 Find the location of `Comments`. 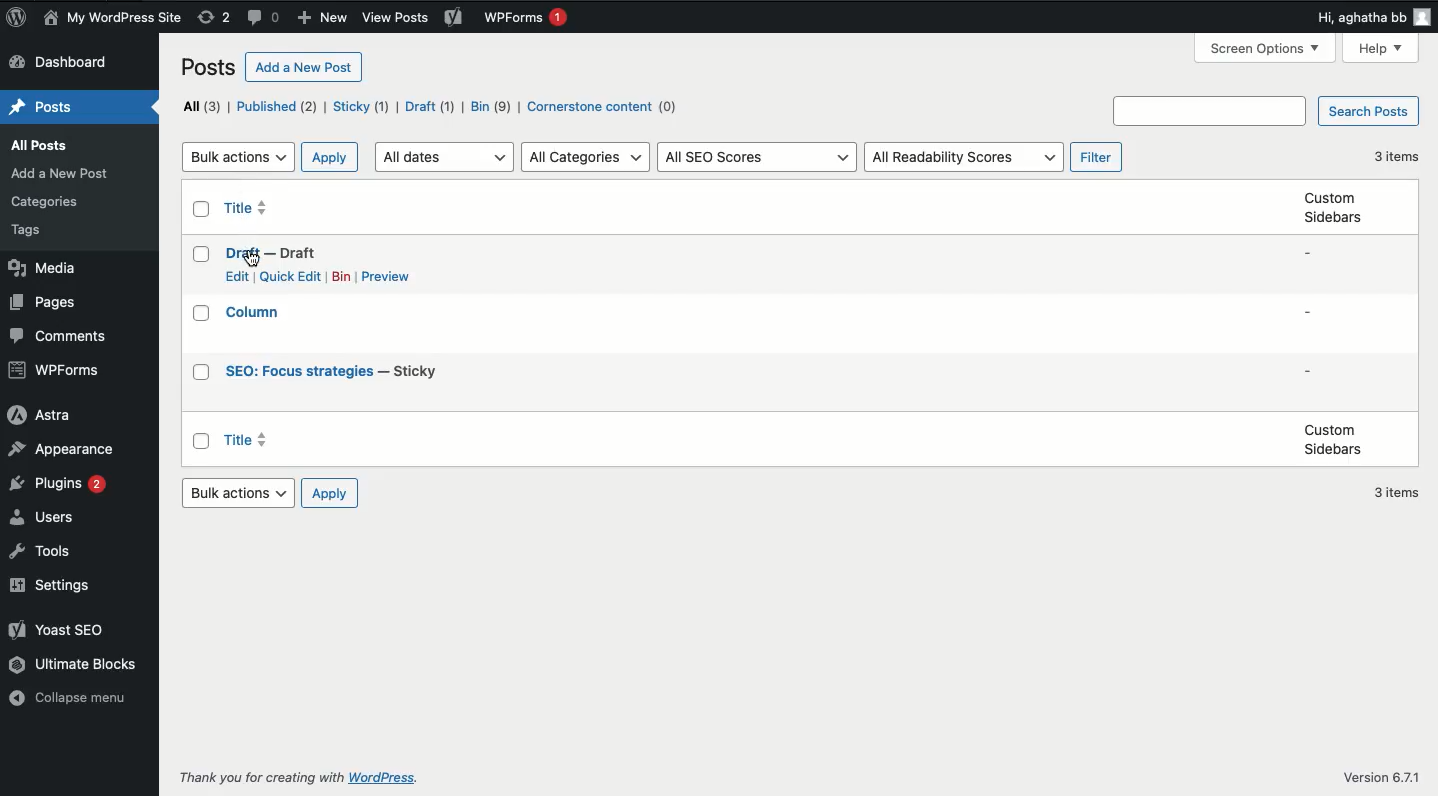

Comments is located at coordinates (261, 18).